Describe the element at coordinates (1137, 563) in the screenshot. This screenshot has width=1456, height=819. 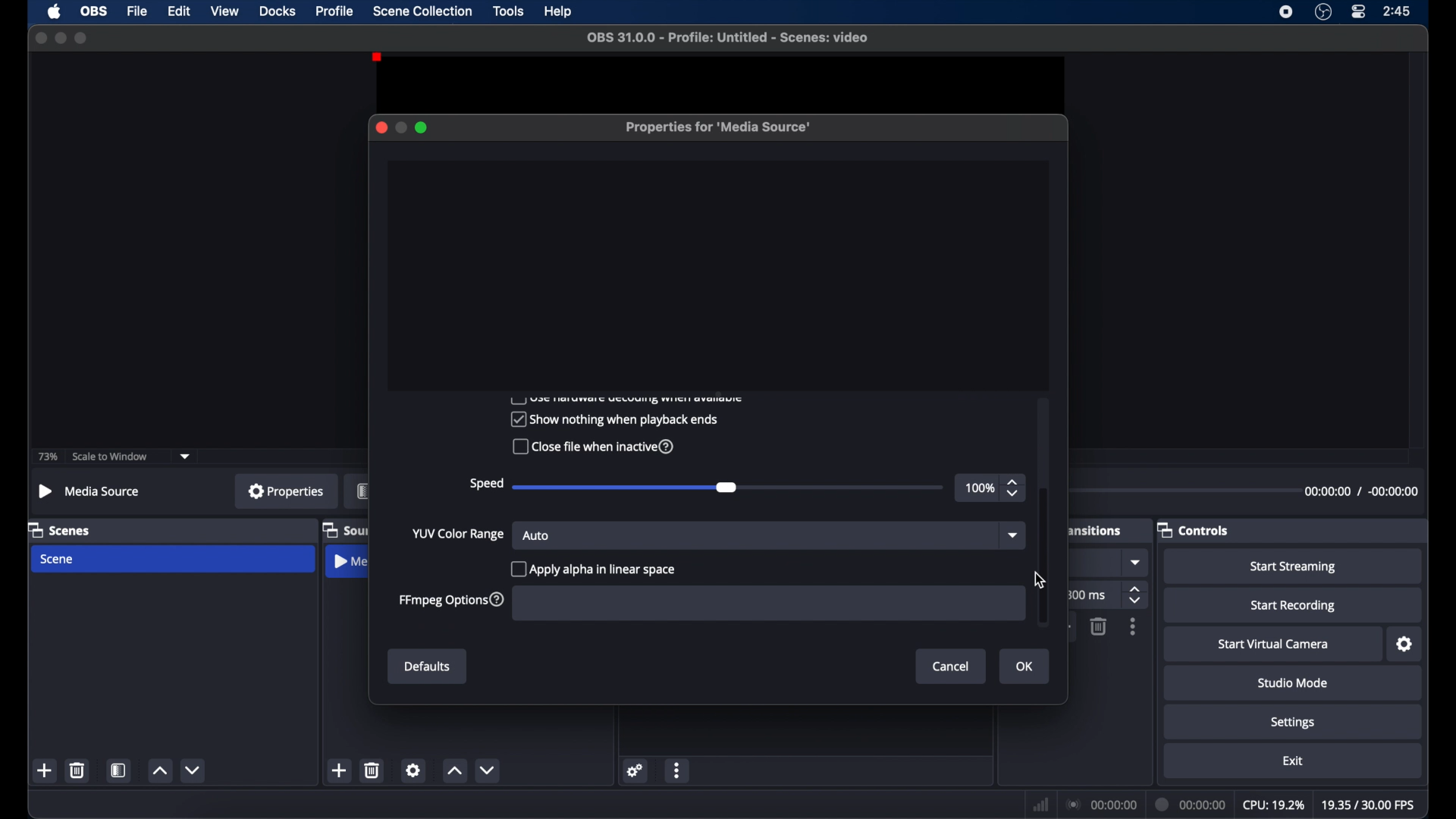
I see `dropdown` at that location.